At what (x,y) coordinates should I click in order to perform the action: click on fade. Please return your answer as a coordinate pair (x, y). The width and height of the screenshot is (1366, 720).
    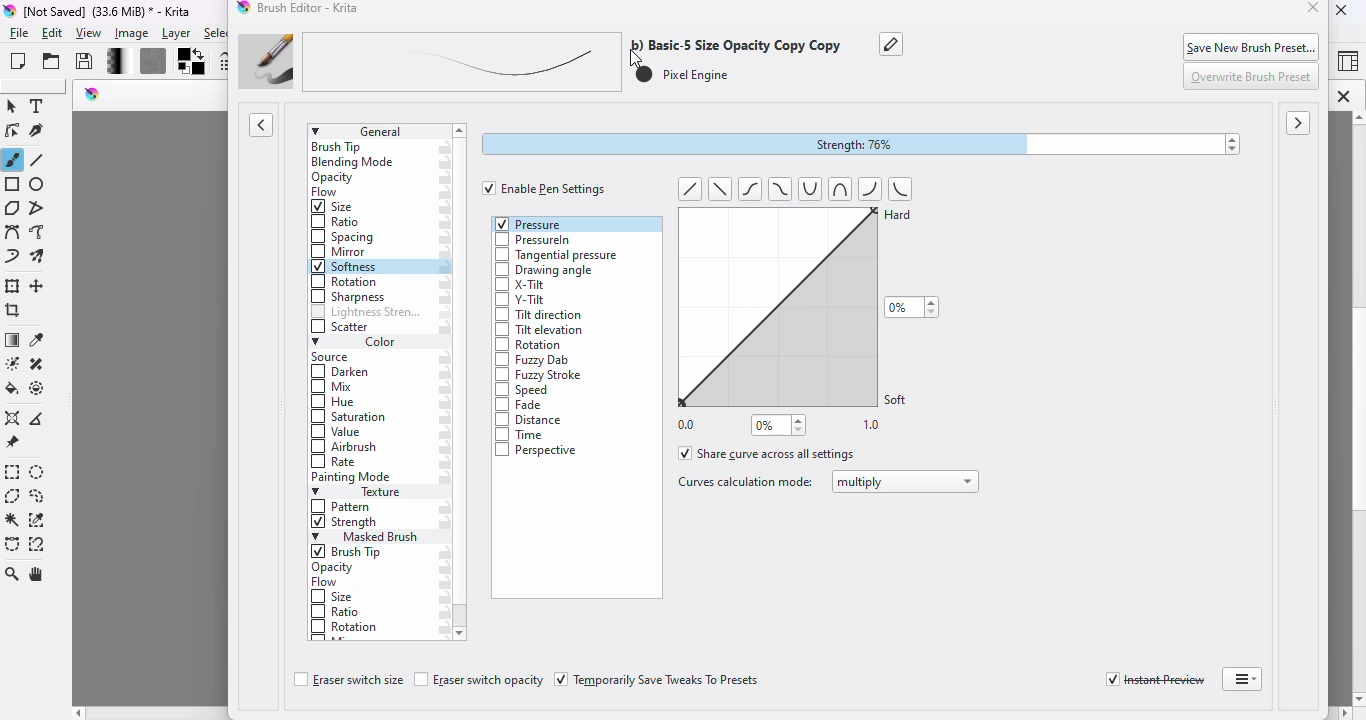
    Looking at the image, I should click on (521, 406).